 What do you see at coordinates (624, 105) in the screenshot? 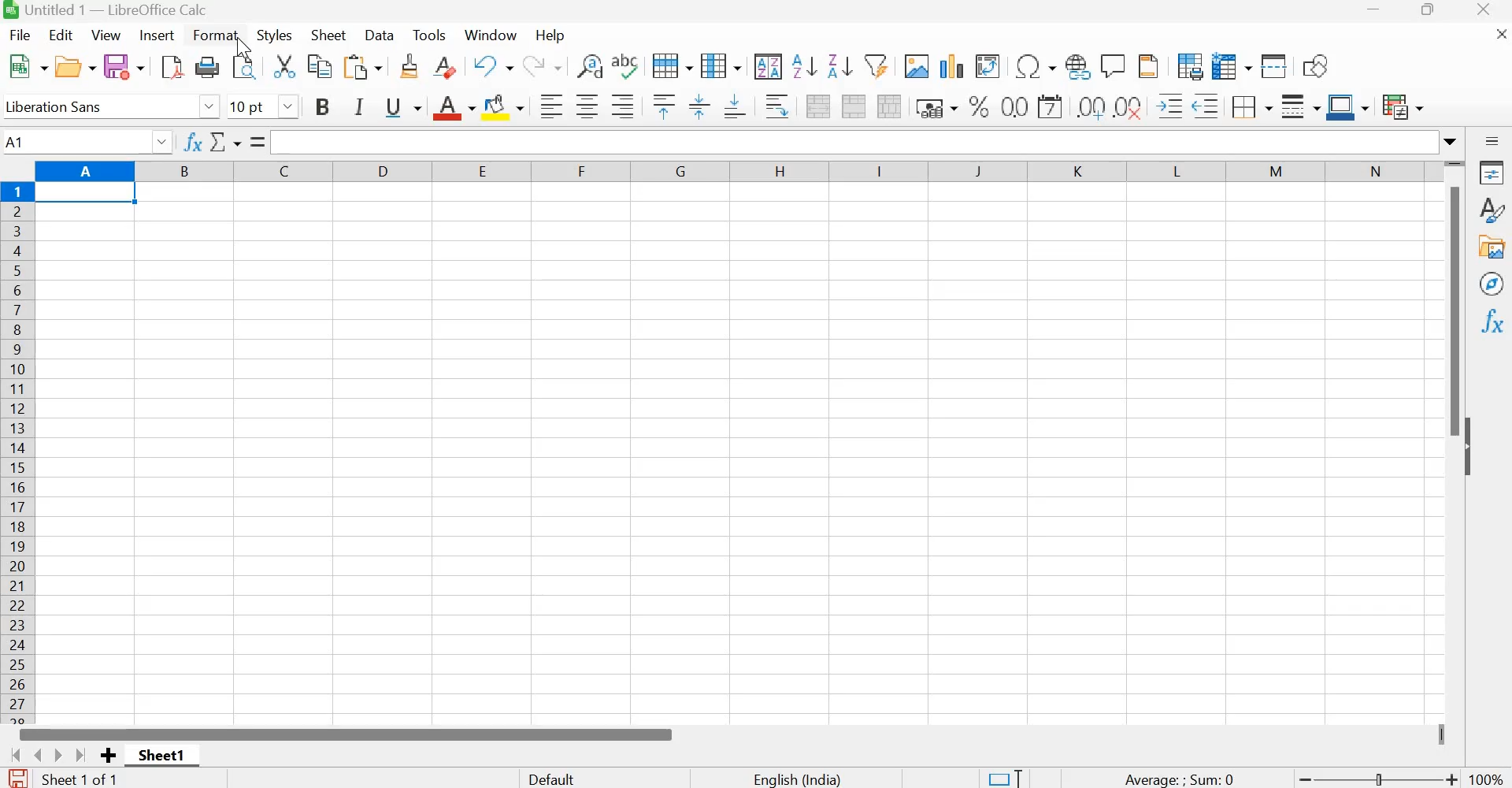
I see `Align right` at bounding box center [624, 105].